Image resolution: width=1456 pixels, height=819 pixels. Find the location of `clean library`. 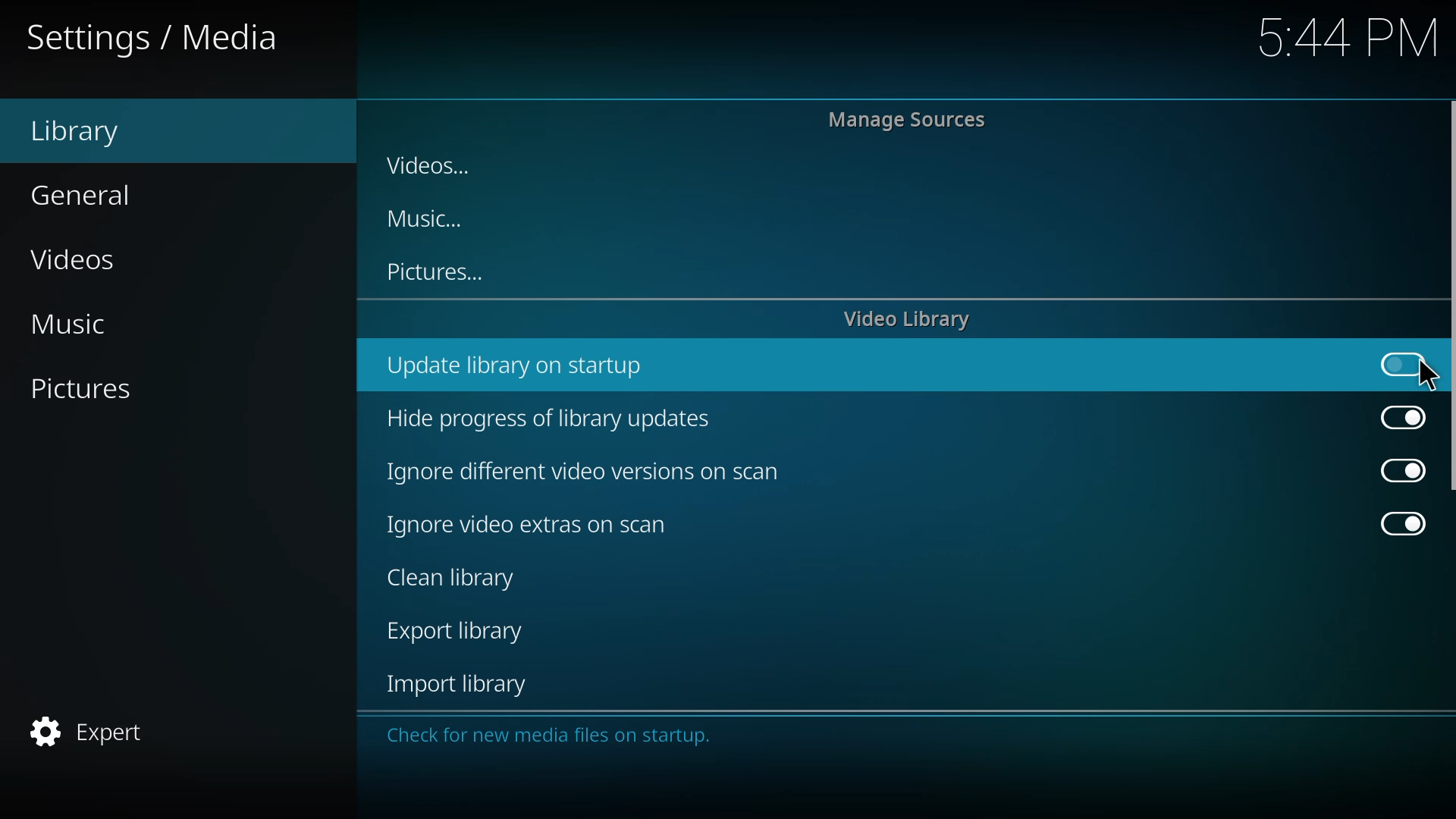

clean library is located at coordinates (453, 579).